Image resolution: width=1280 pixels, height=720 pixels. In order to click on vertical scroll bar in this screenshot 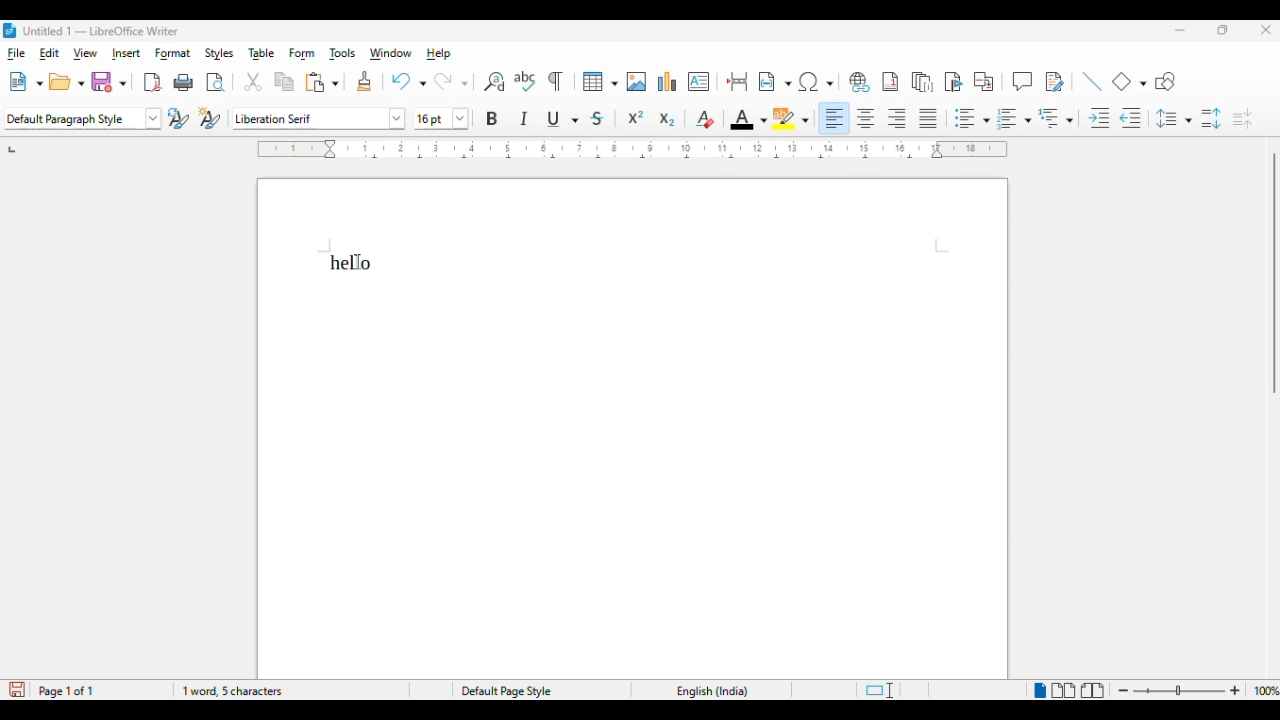, I will do `click(1272, 274)`.